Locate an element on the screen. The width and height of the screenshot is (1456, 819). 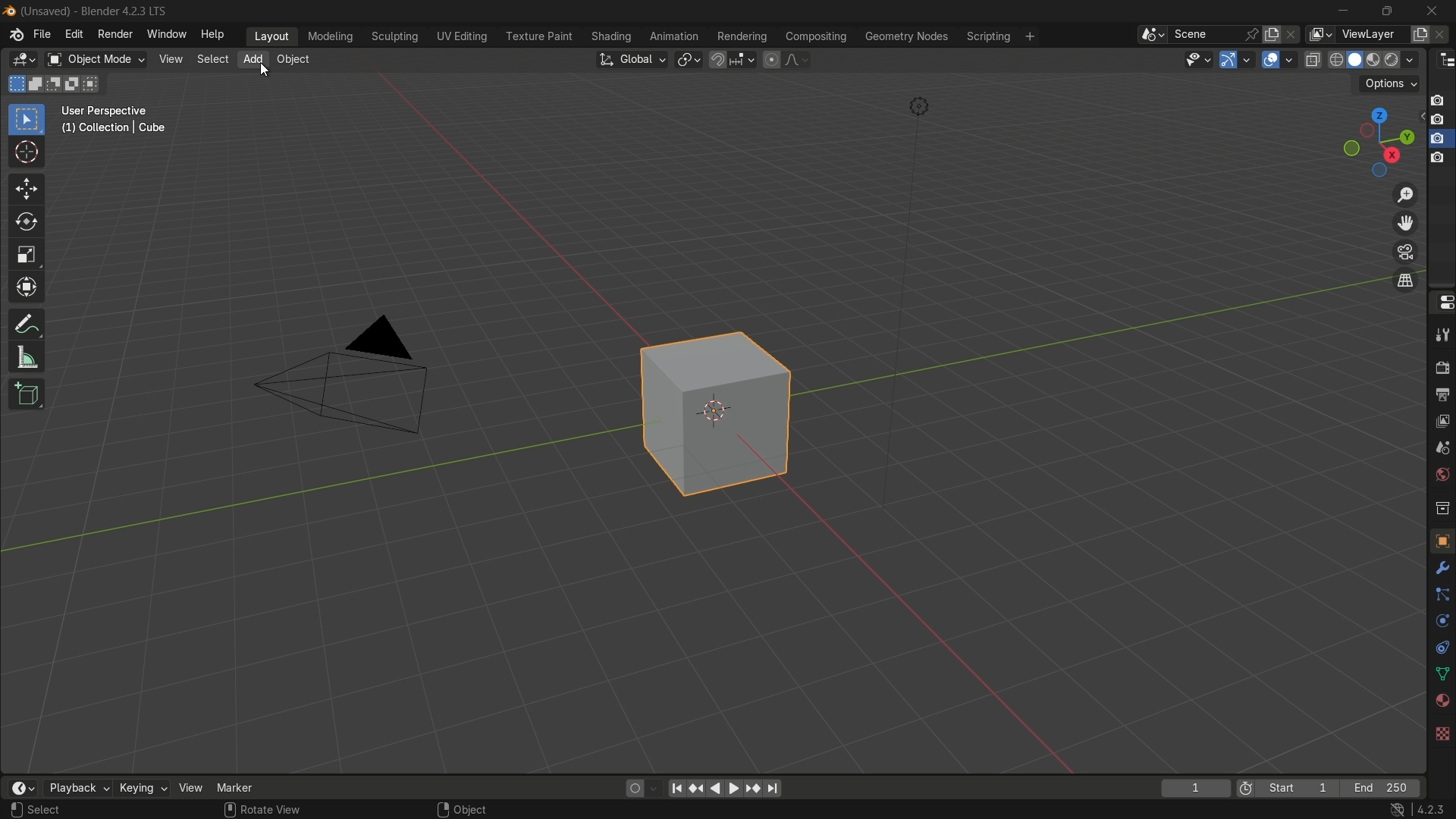
light is located at coordinates (918, 107).